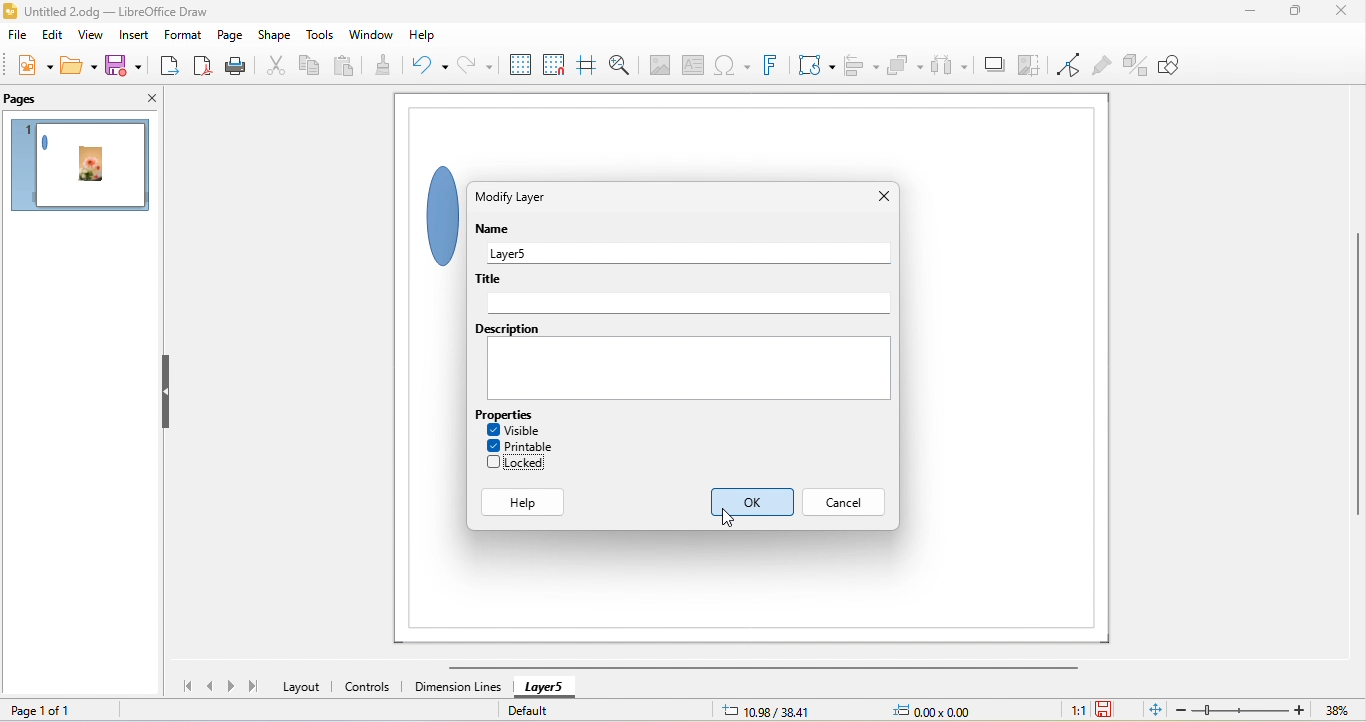  Describe the element at coordinates (1136, 65) in the screenshot. I see `toggle extruision` at that location.